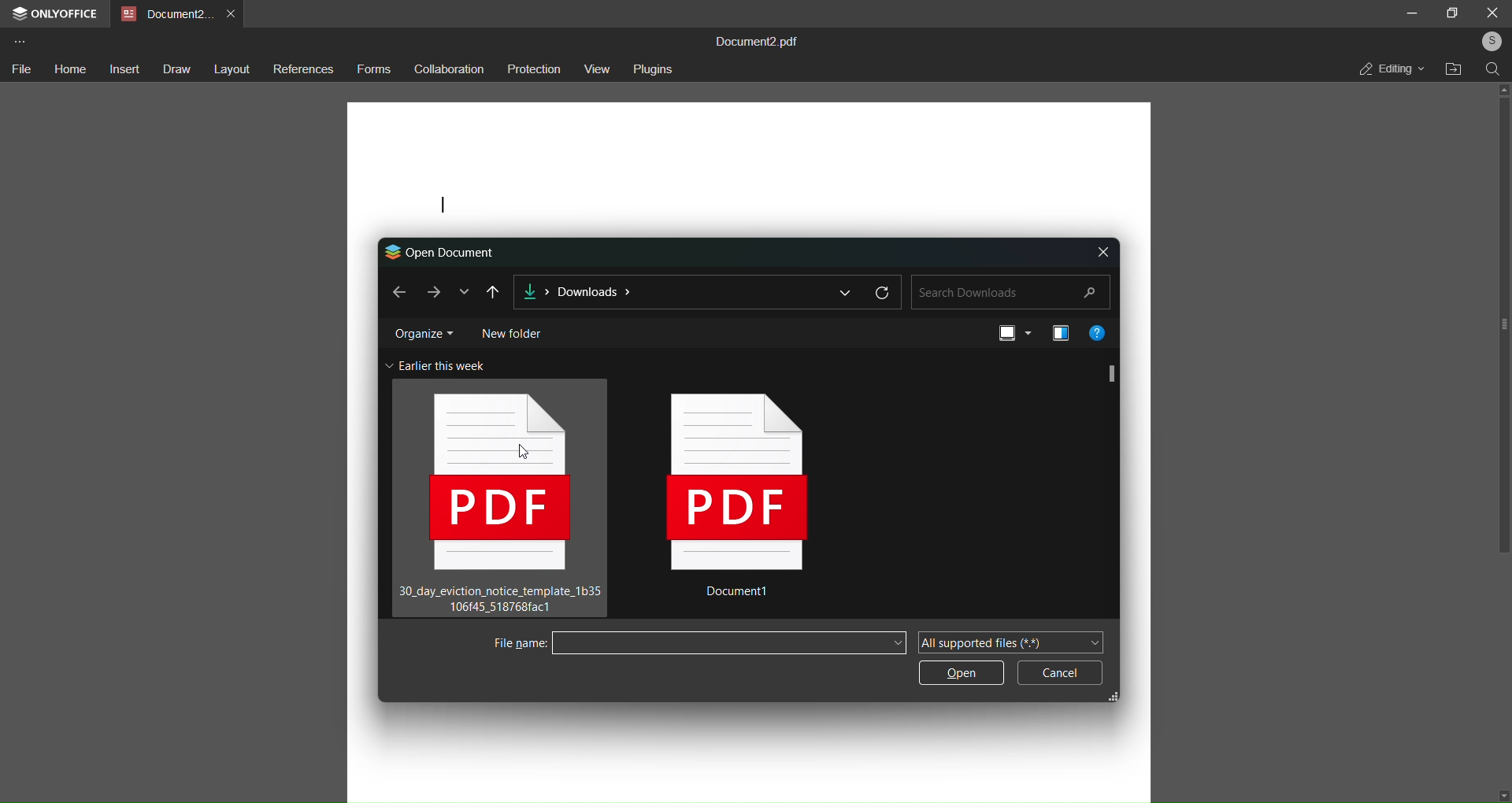  I want to click on path, so click(669, 293).